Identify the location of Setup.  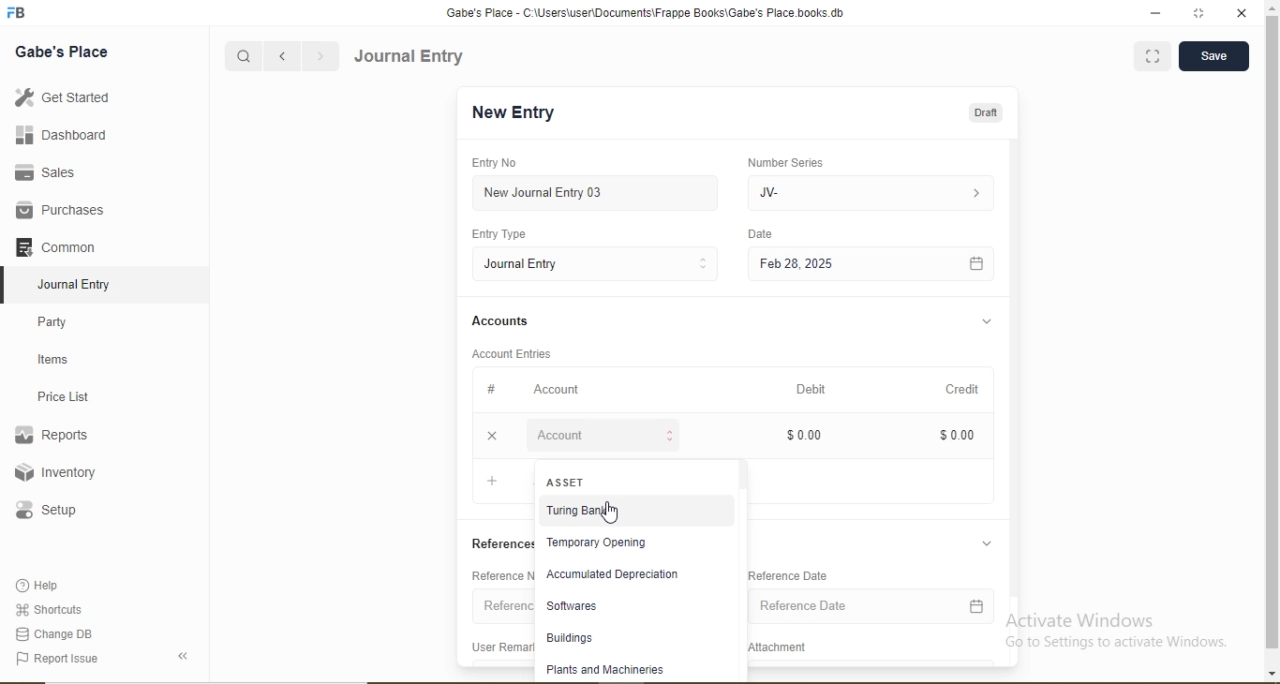
(45, 510).